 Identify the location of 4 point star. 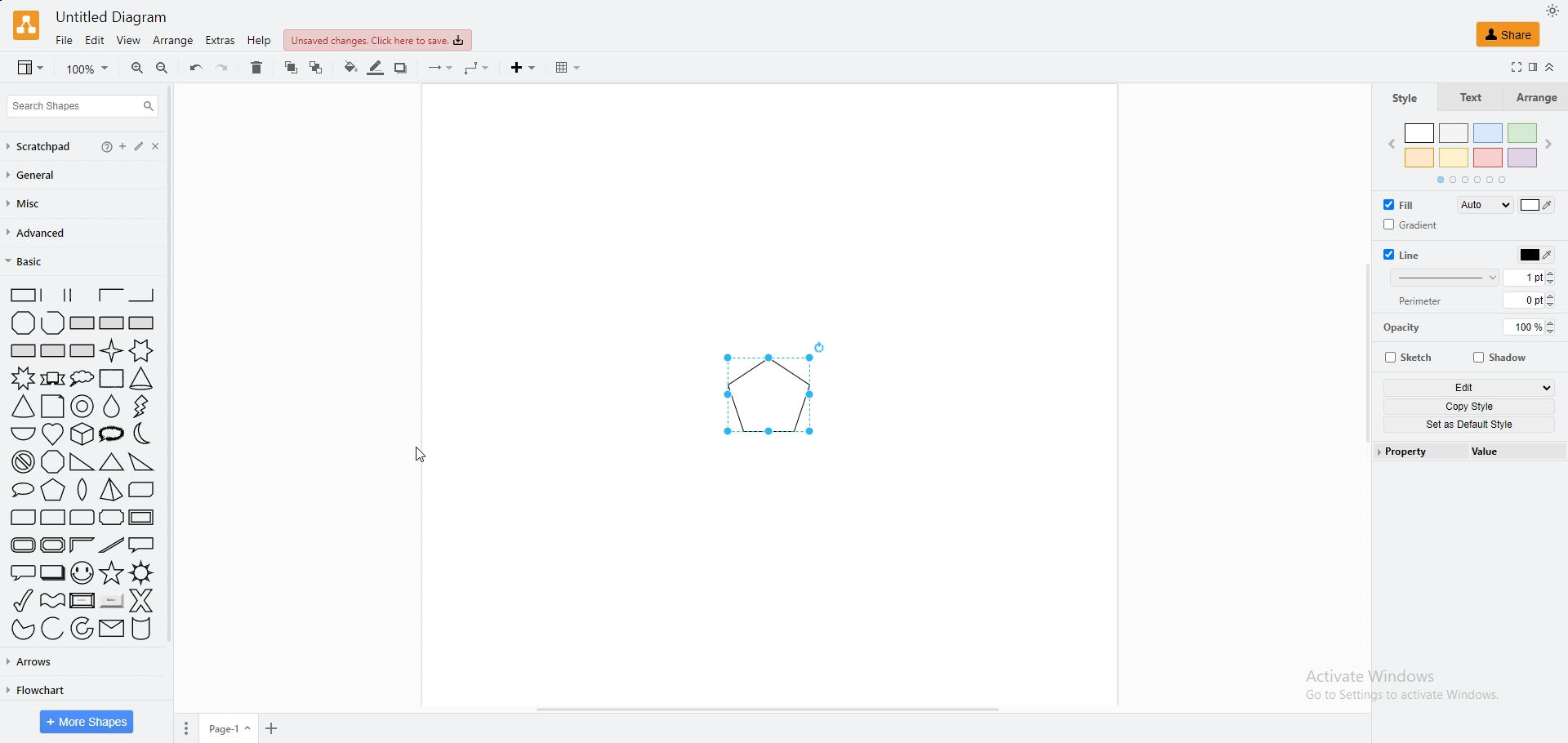
(112, 350).